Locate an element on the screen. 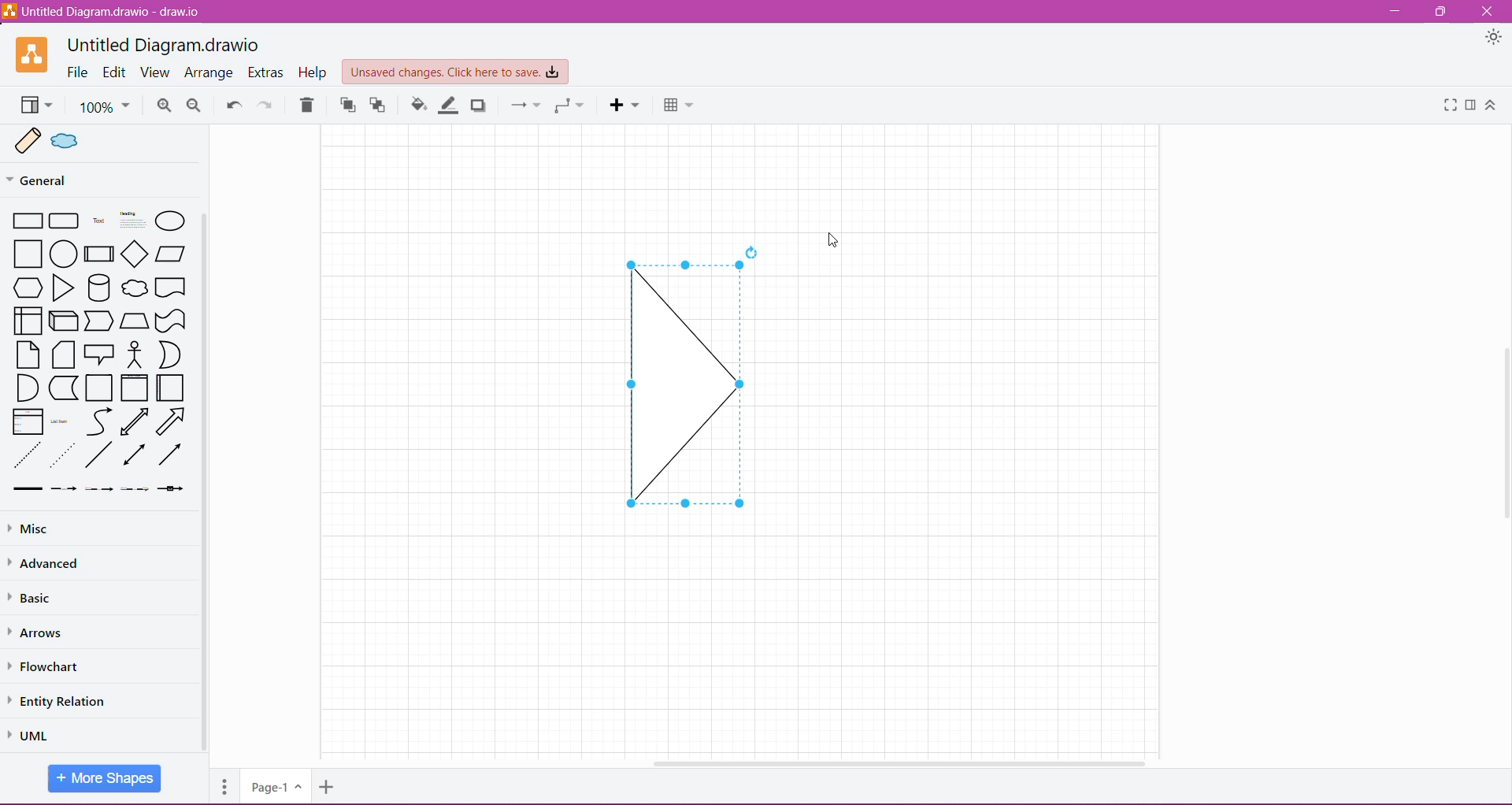 This screenshot has width=1512, height=805. More Shapes is located at coordinates (106, 778).